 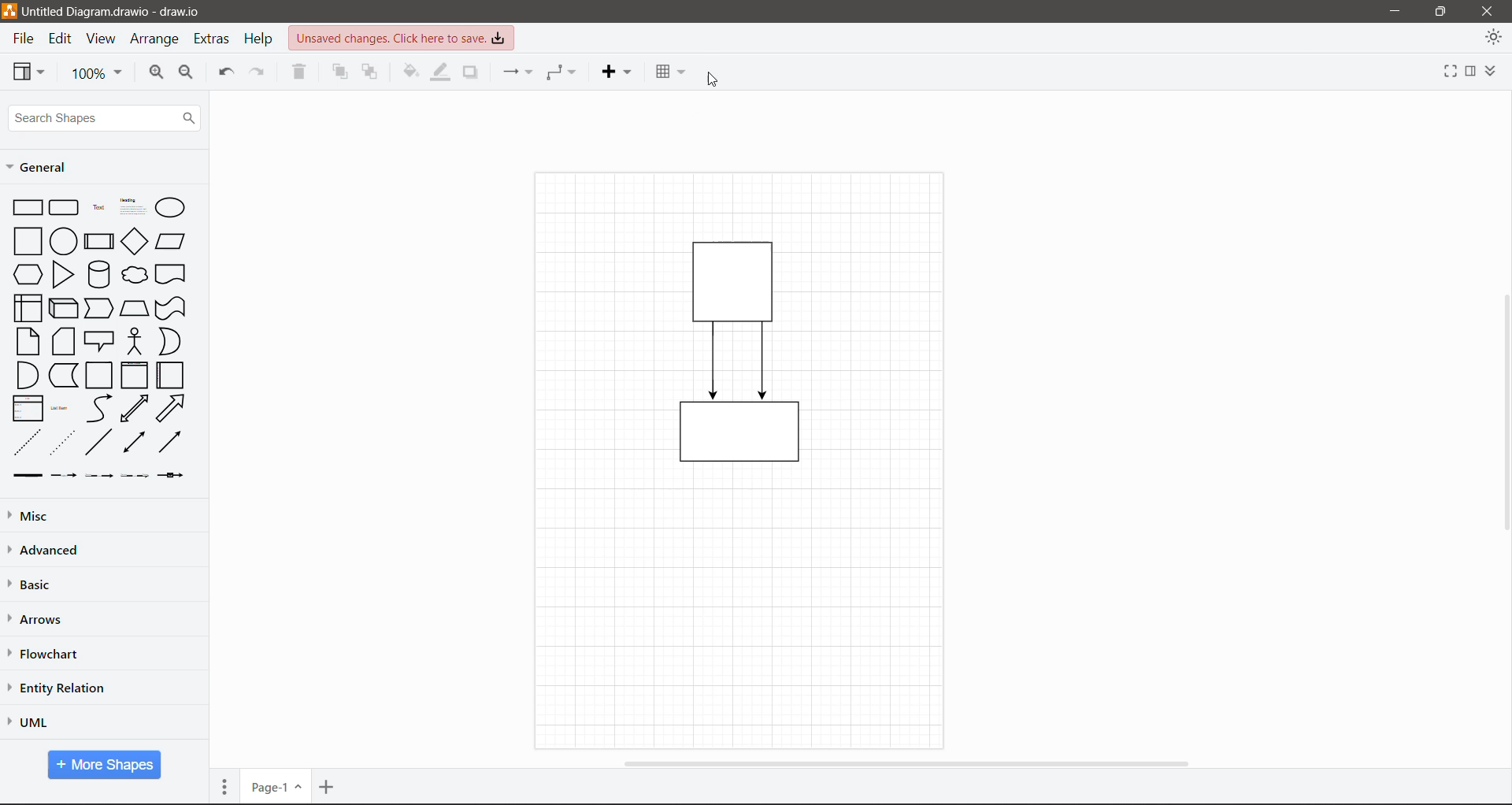 What do you see at coordinates (24, 476) in the screenshot?
I see `link` at bounding box center [24, 476].